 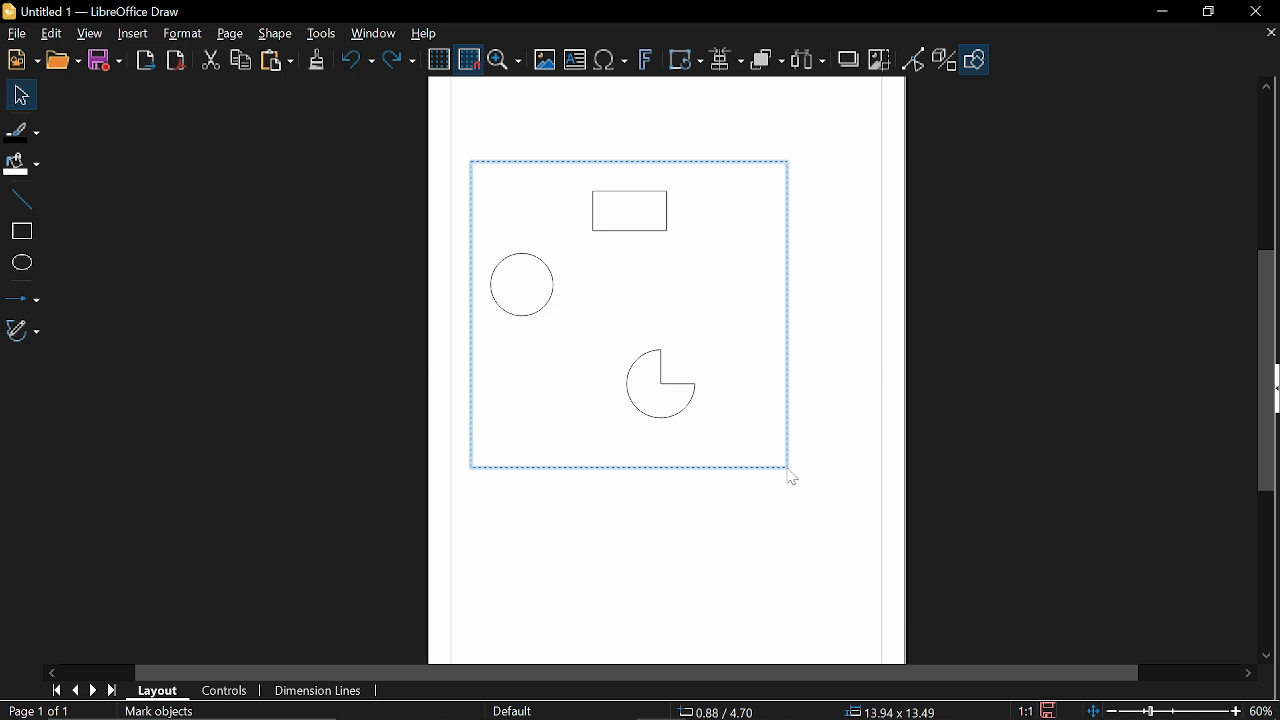 What do you see at coordinates (110, 11) in the screenshot?
I see `B Untitled 1 — LibreOffice Draw` at bounding box center [110, 11].